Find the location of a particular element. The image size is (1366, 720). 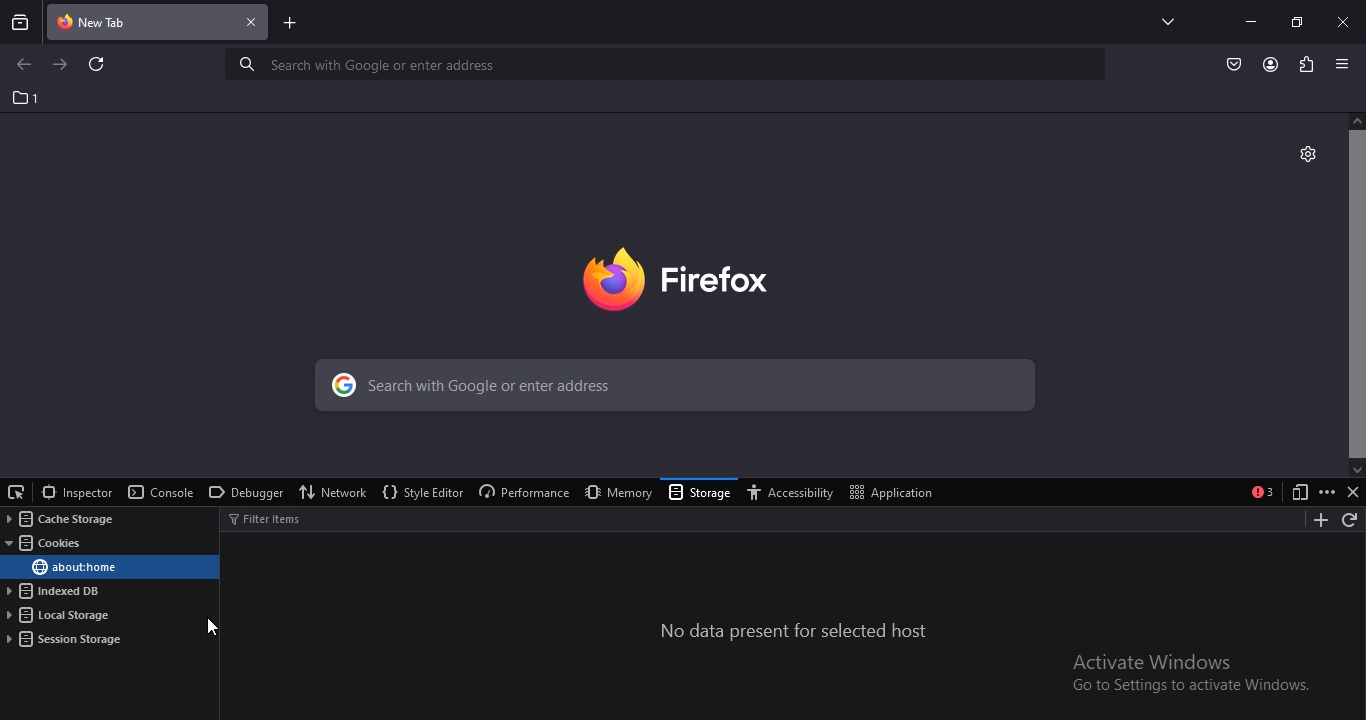

cursor is located at coordinates (213, 627).